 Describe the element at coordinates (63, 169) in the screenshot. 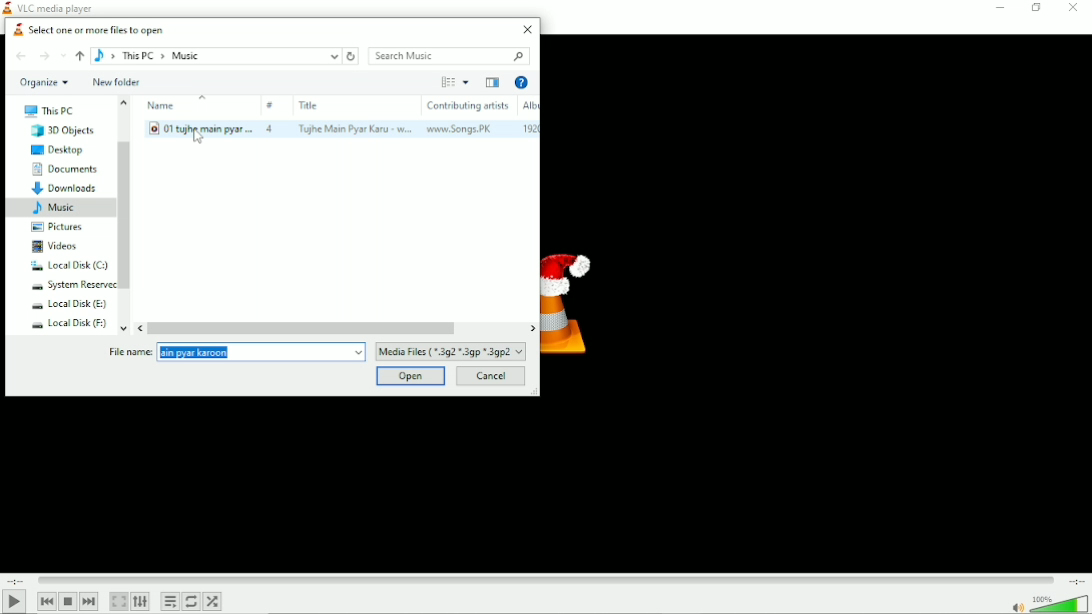

I see `Documents` at that location.